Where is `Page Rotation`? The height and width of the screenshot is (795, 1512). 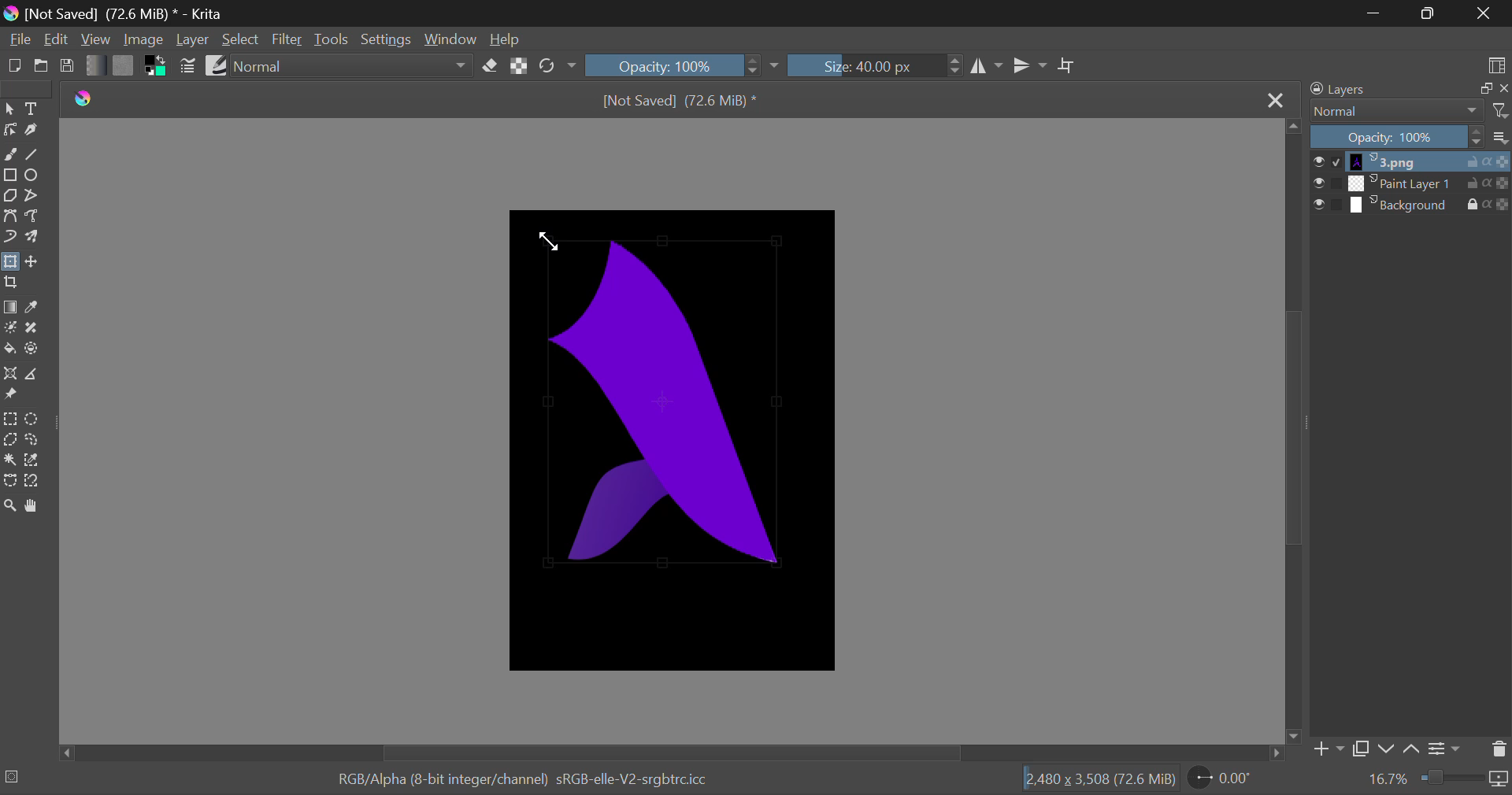 Page Rotation is located at coordinates (1230, 778).